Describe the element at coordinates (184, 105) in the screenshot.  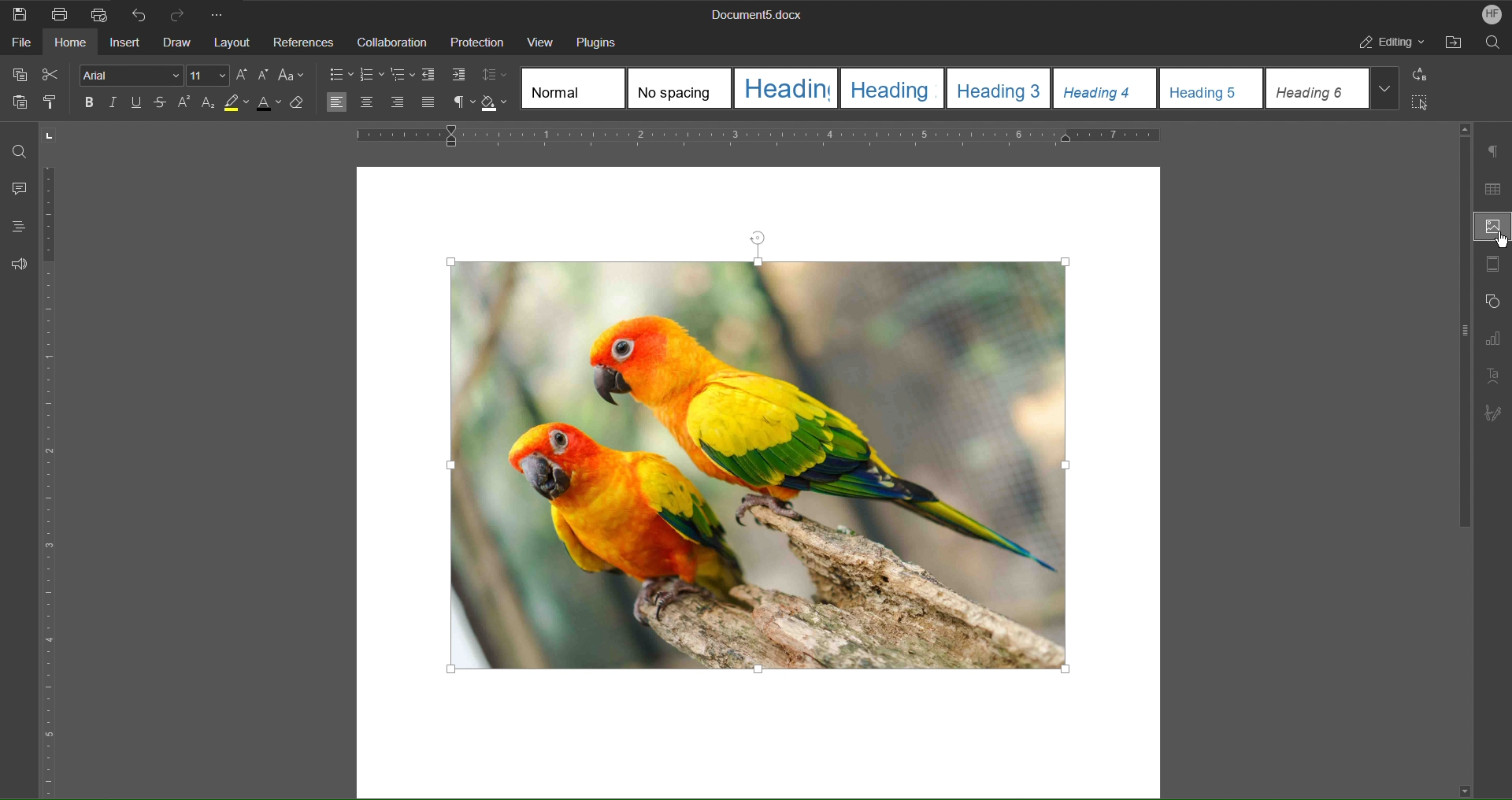
I see `Superscript` at that location.